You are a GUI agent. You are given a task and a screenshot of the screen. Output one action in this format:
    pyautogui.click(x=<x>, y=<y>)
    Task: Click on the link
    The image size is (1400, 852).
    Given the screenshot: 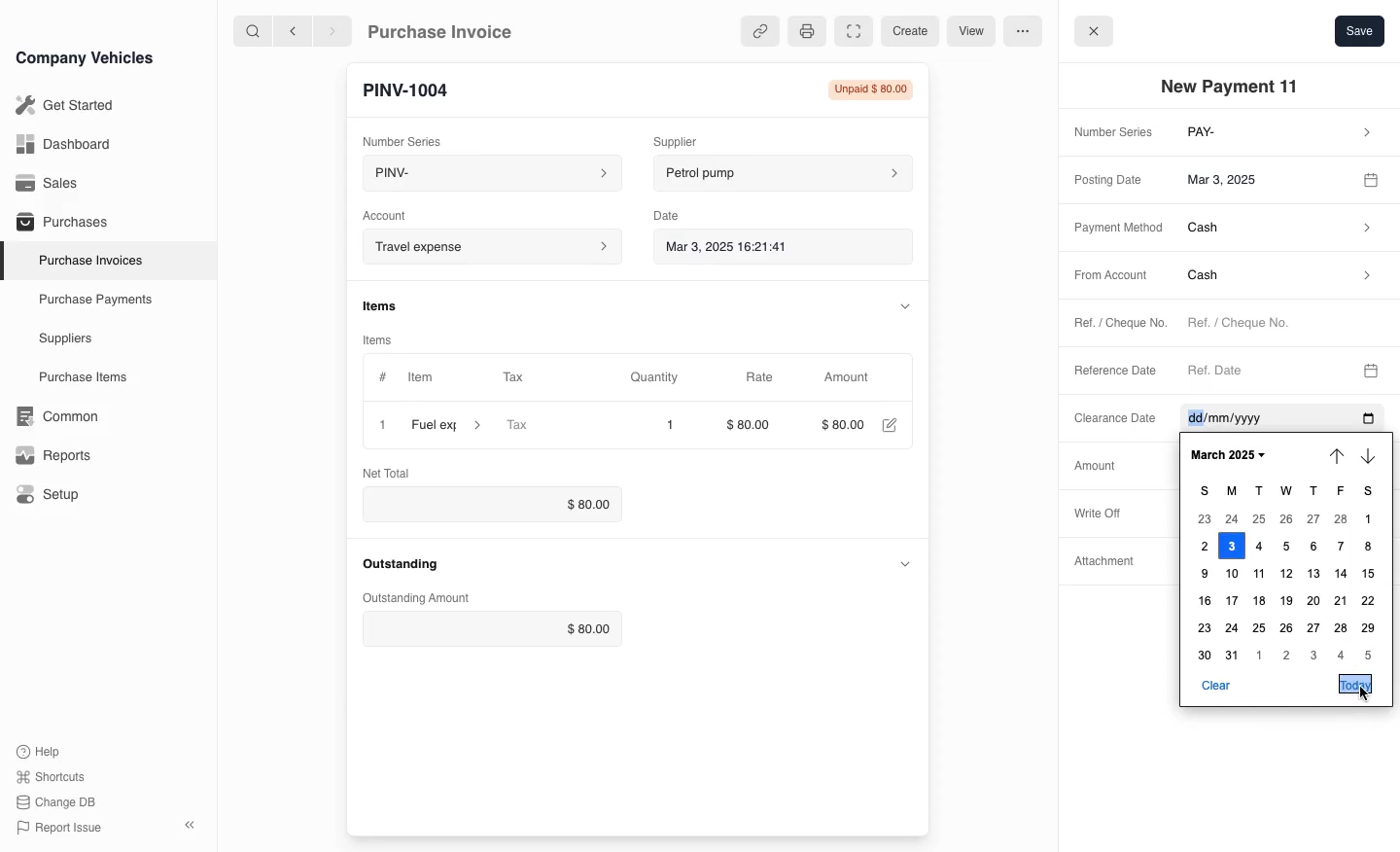 What is the action you would take?
    pyautogui.click(x=756, y=31)
    